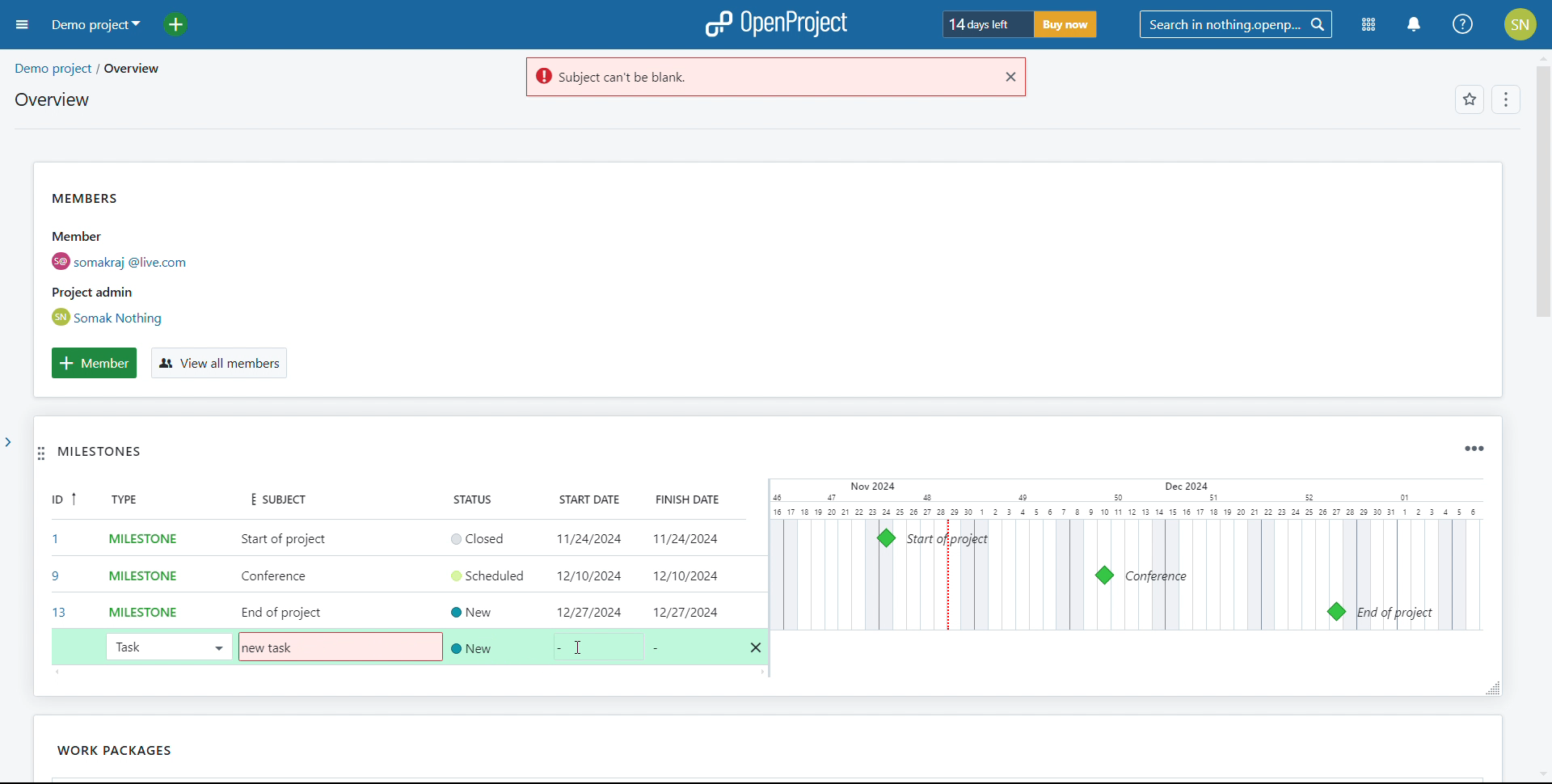 This screenshot has height=784, width=1552. I want to click on help, so click(1464, 24).